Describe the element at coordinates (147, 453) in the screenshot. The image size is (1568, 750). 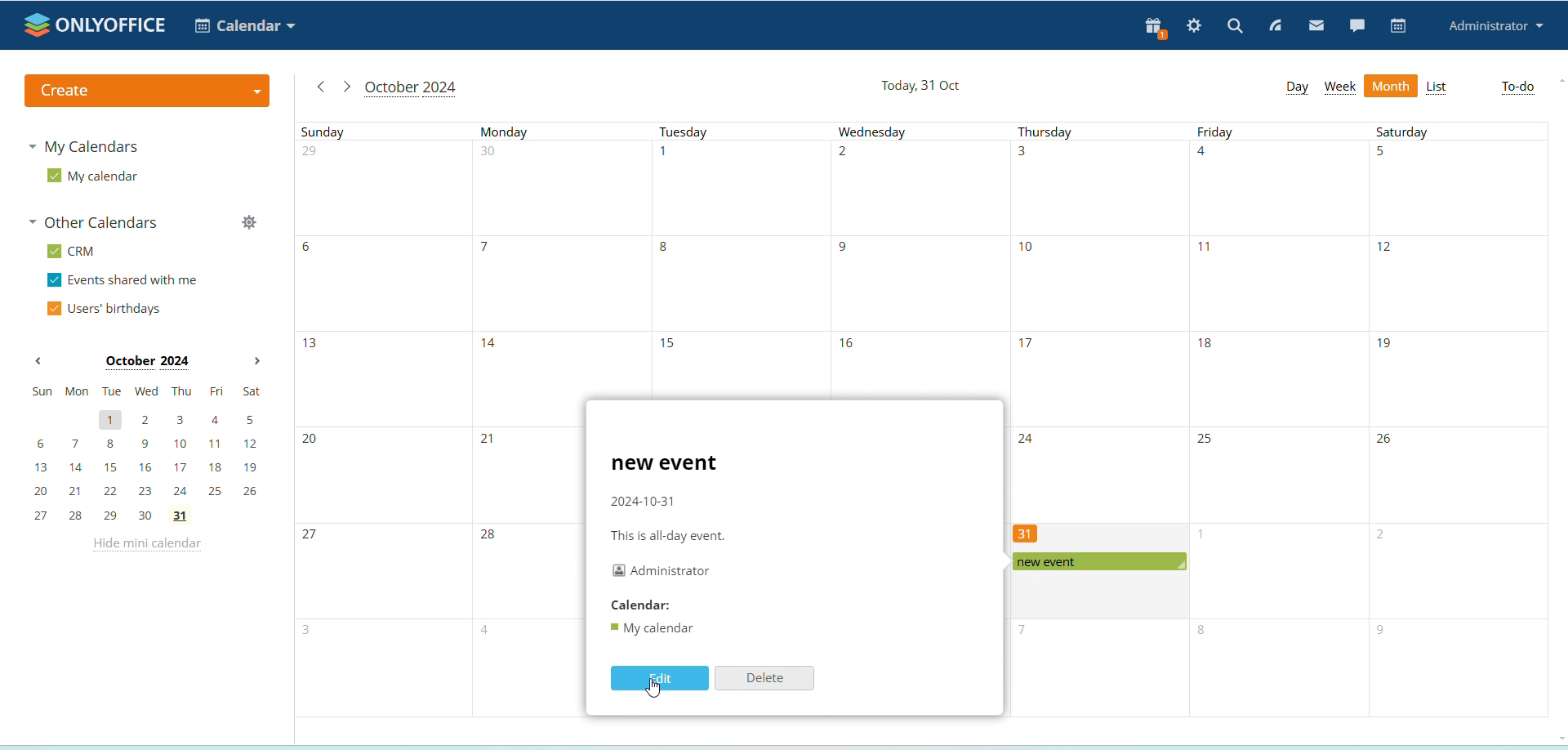
I see `mini calendar` at that location.